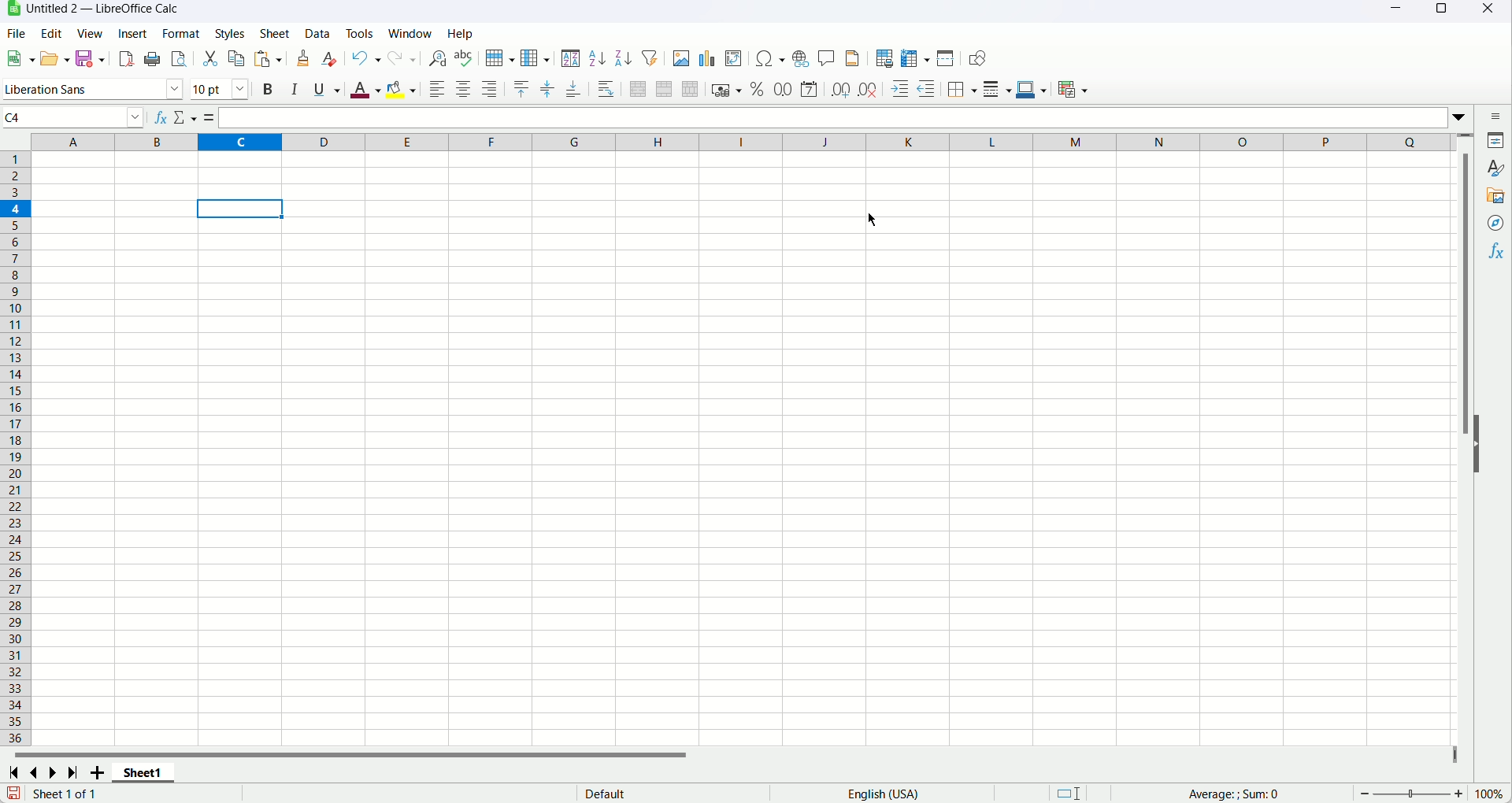 This screenshot has width=1512, height=803. Describe the element at coordinates (266, 91) in the screenshot. I see `Bold` at that location.